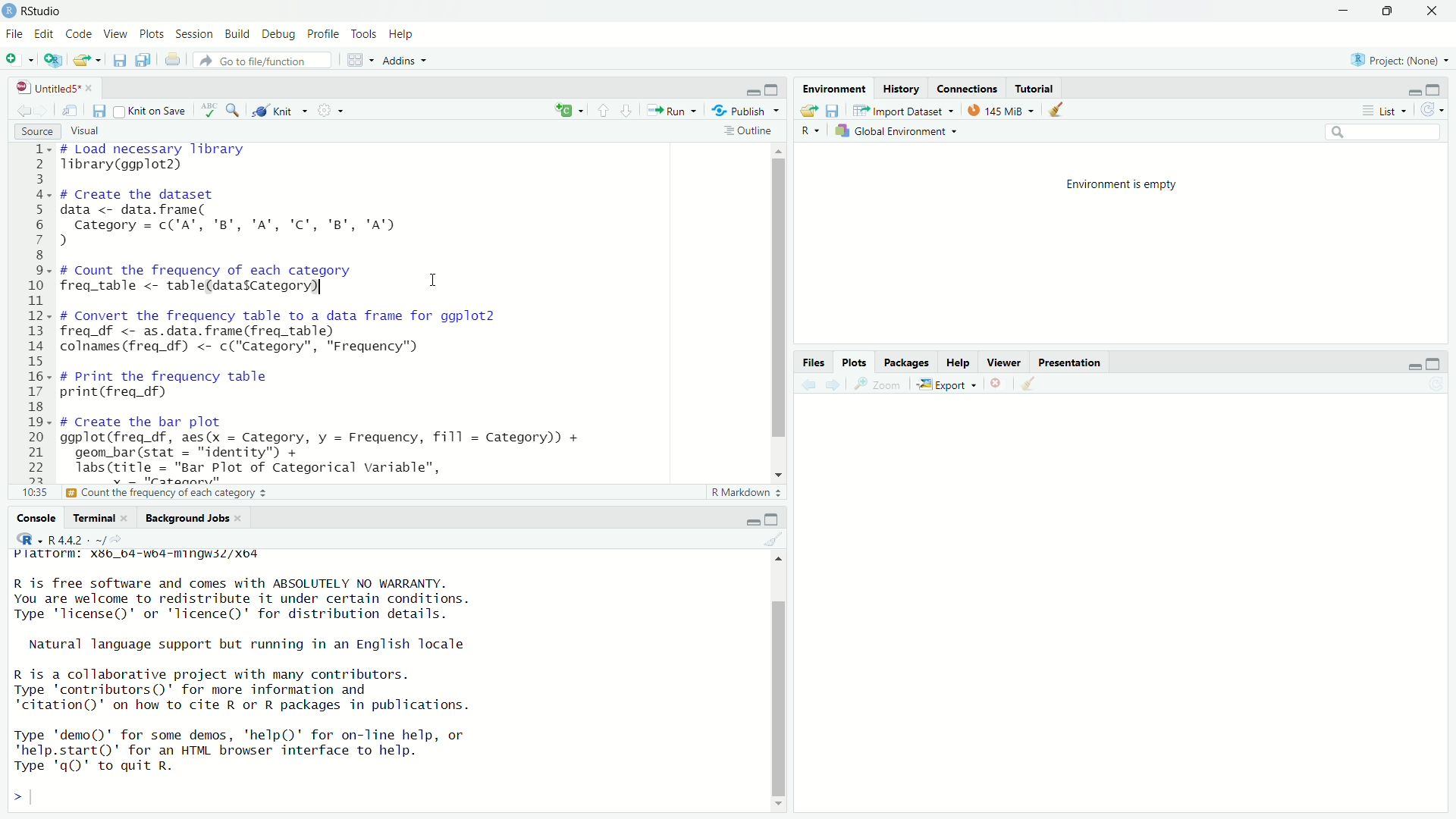 The height and width of the screenshot is (819, 1456). What do you see at coordinates (329, 110) in the screenshot?
I see `settings` at bounding box center [329, 110].